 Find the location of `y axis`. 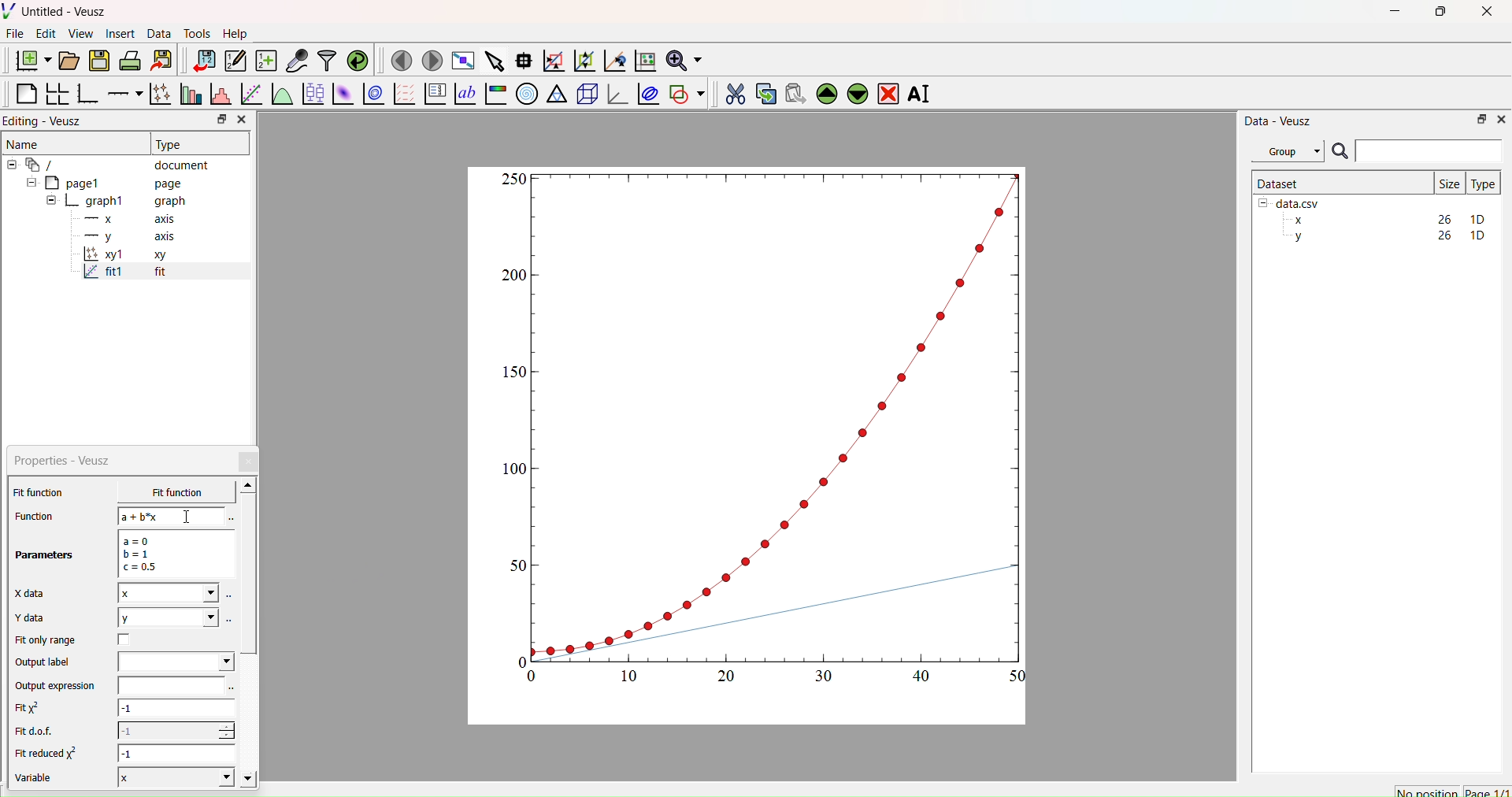

y axis is located at coordinates (120, 236).